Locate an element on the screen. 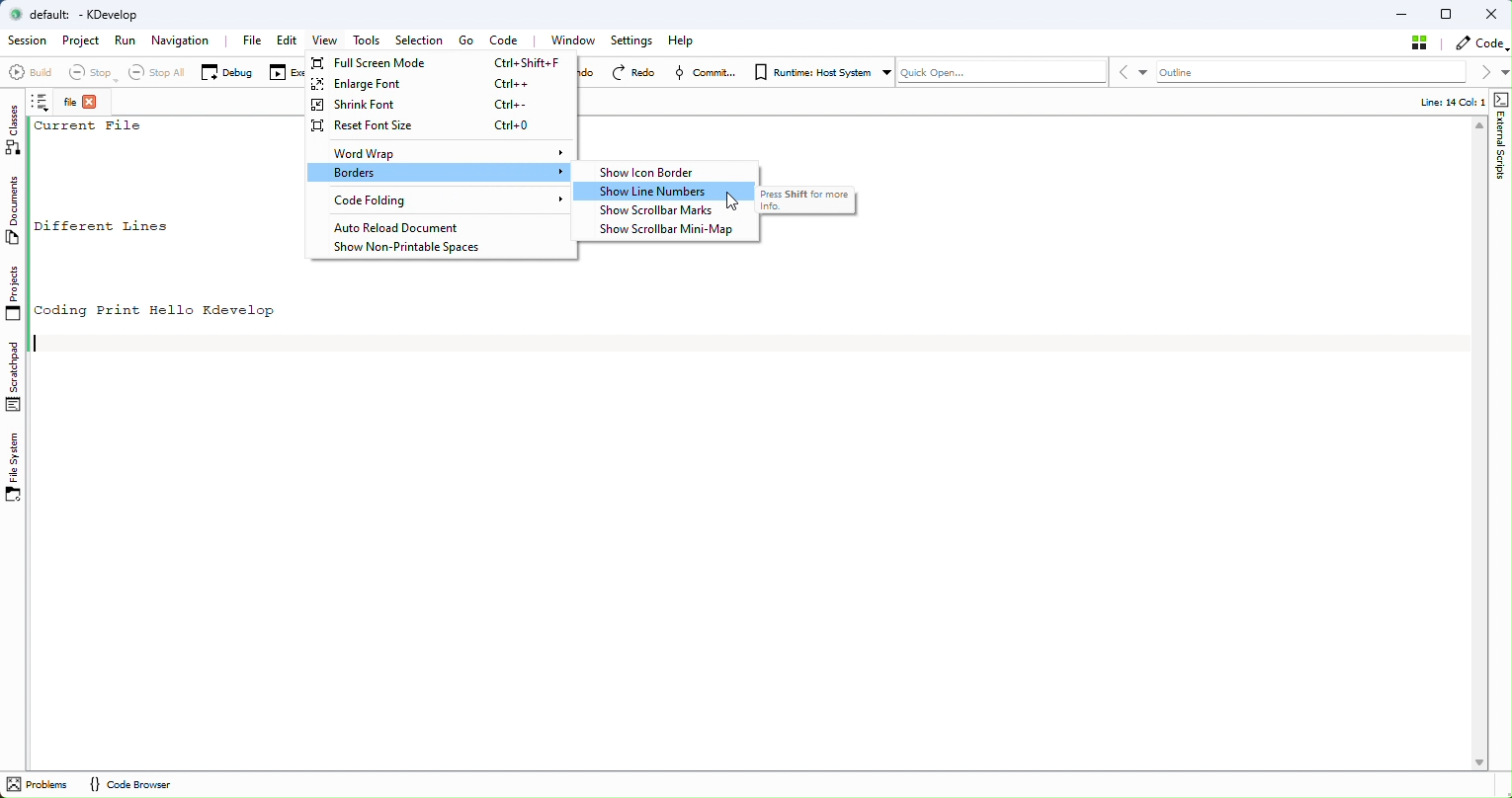  Code is located at coordinates (510, 40).